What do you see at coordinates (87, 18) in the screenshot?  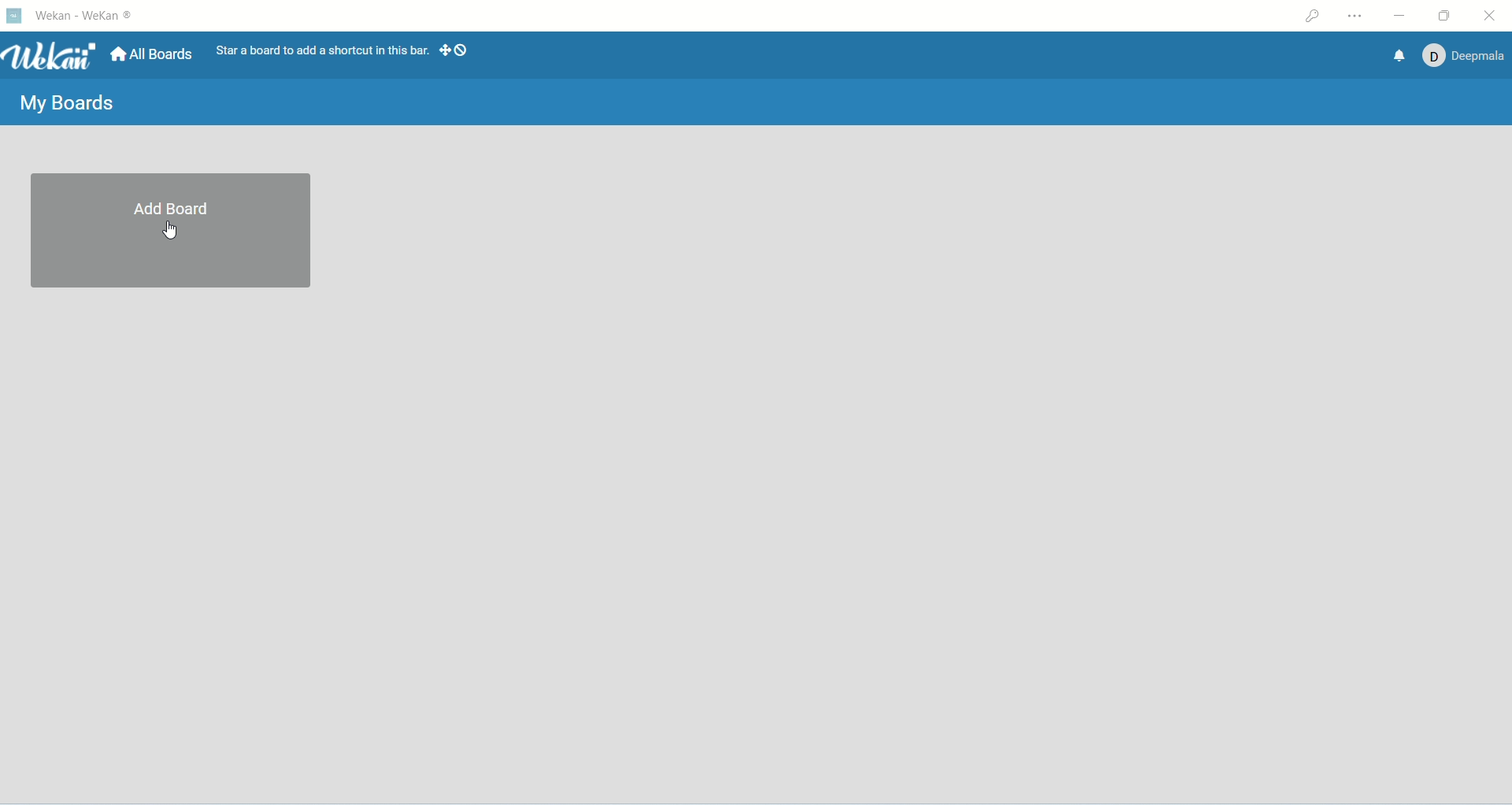 I see `WeKan-Wekan` at bounding box center [87, 18].